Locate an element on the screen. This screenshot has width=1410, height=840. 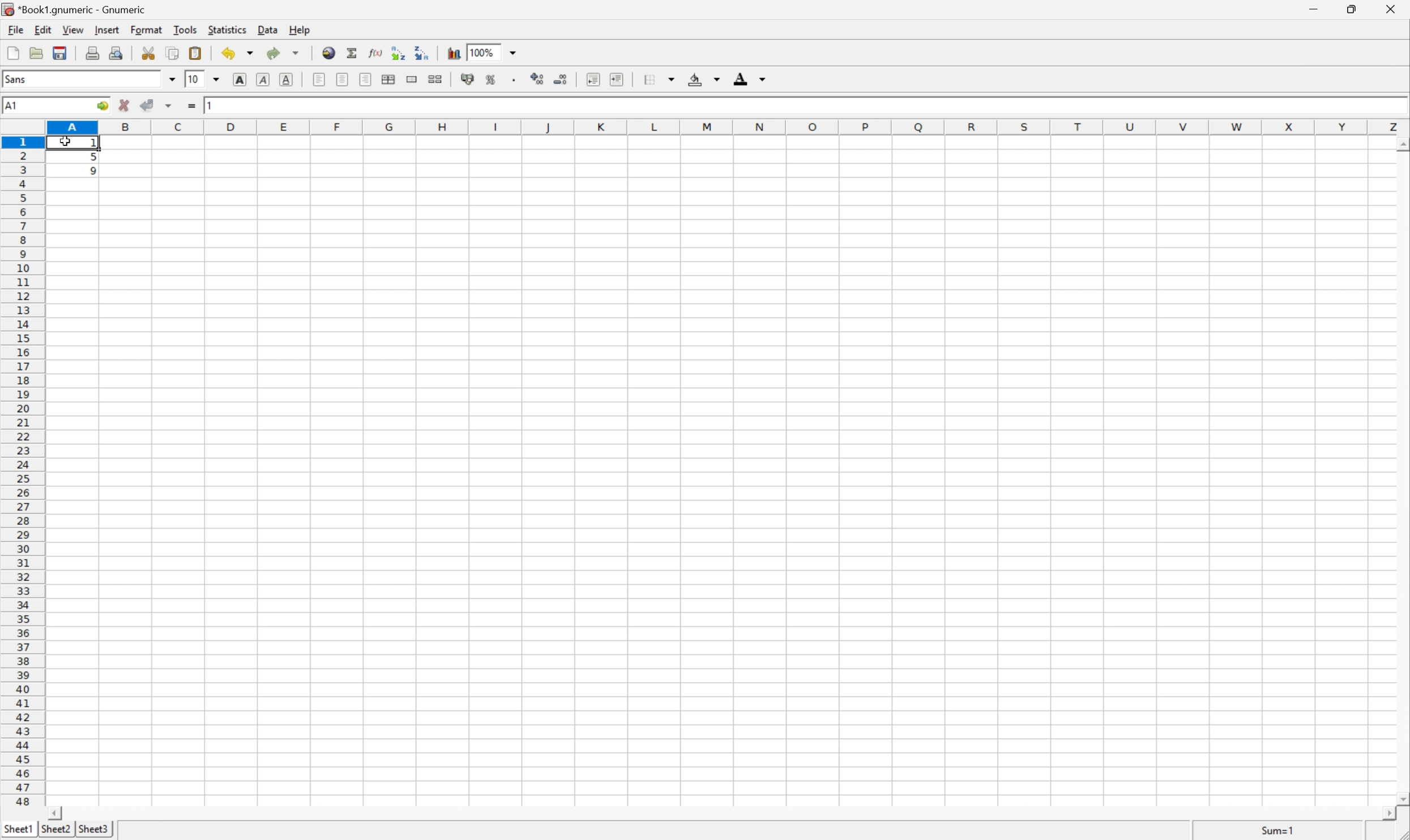
split merged ranges of cells is located at coordinates (437, 78).